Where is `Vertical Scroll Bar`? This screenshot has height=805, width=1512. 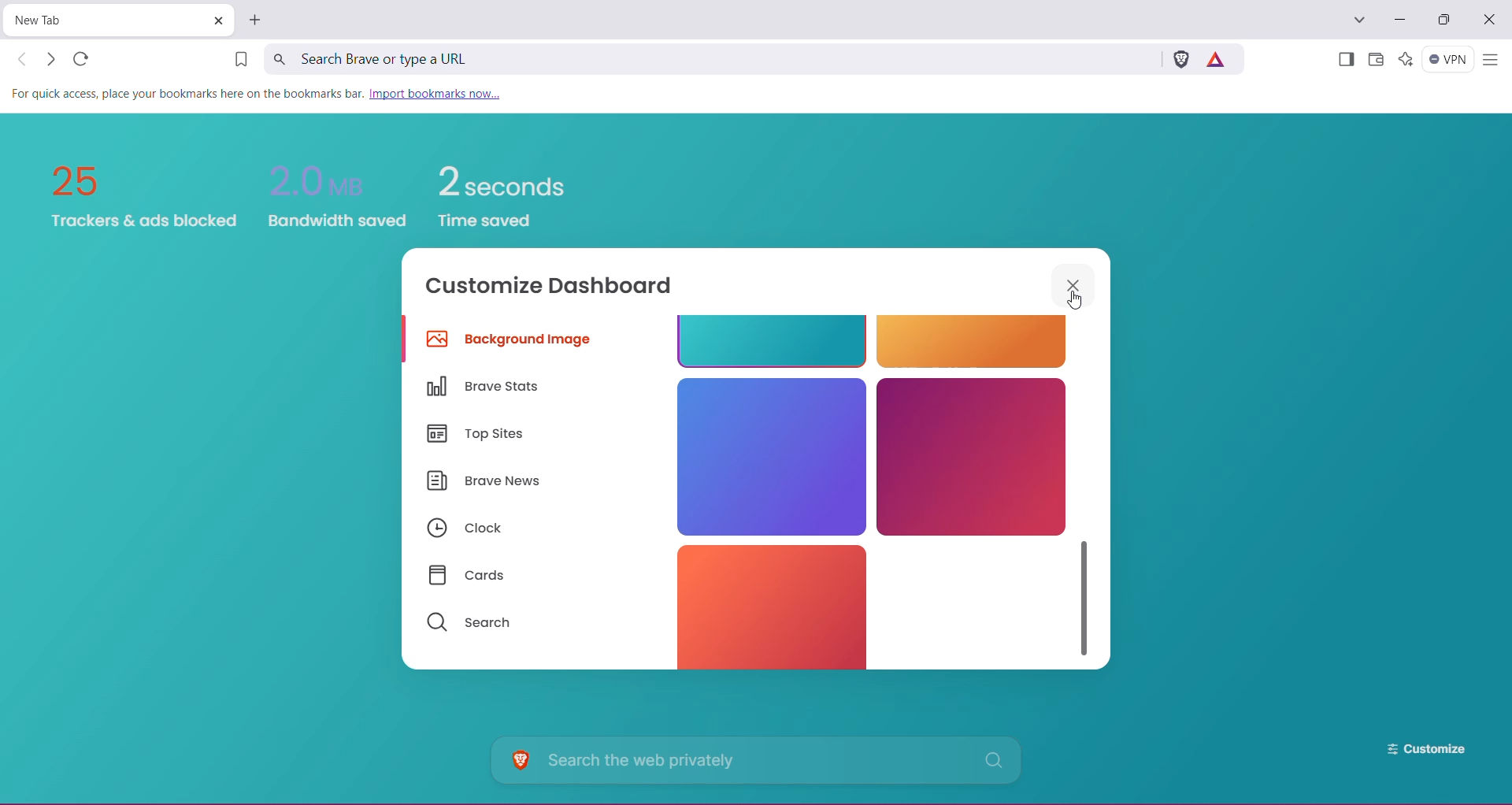 Vertical Scroll Bar is located at coordinates (1086, 593).